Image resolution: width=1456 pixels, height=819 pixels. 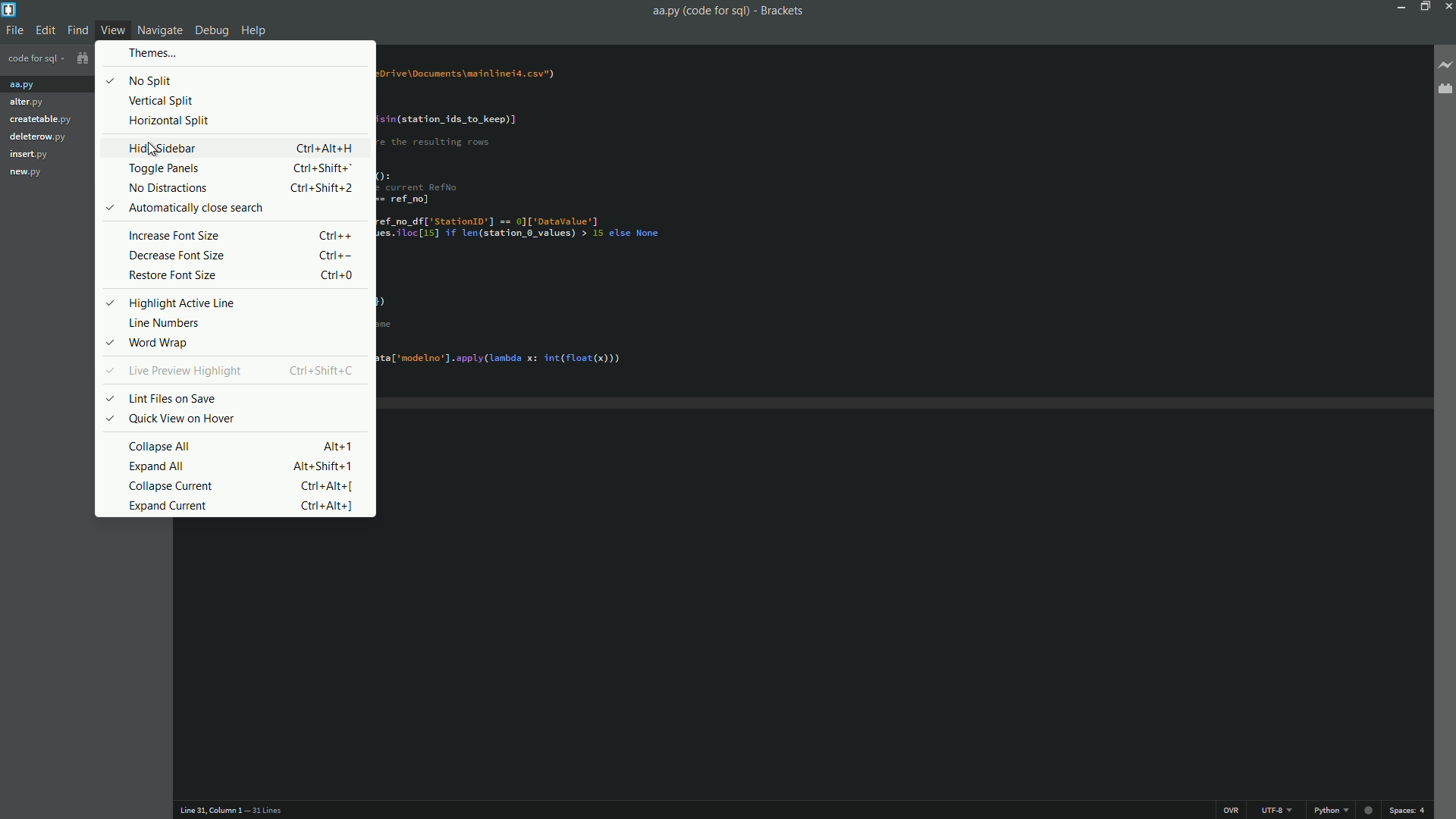 I want to click on debug menu, so click(x=212, y=30).